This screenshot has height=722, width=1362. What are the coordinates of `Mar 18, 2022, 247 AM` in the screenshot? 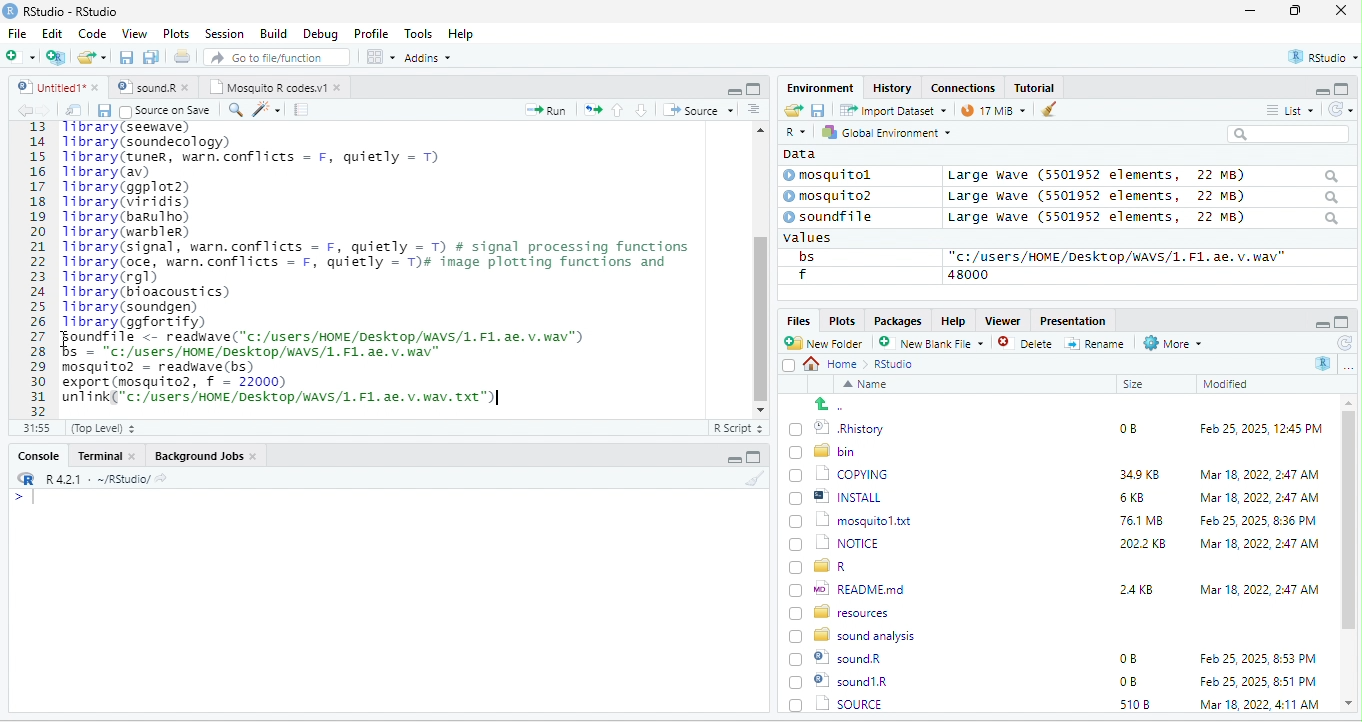 It's located at (1260, 474).